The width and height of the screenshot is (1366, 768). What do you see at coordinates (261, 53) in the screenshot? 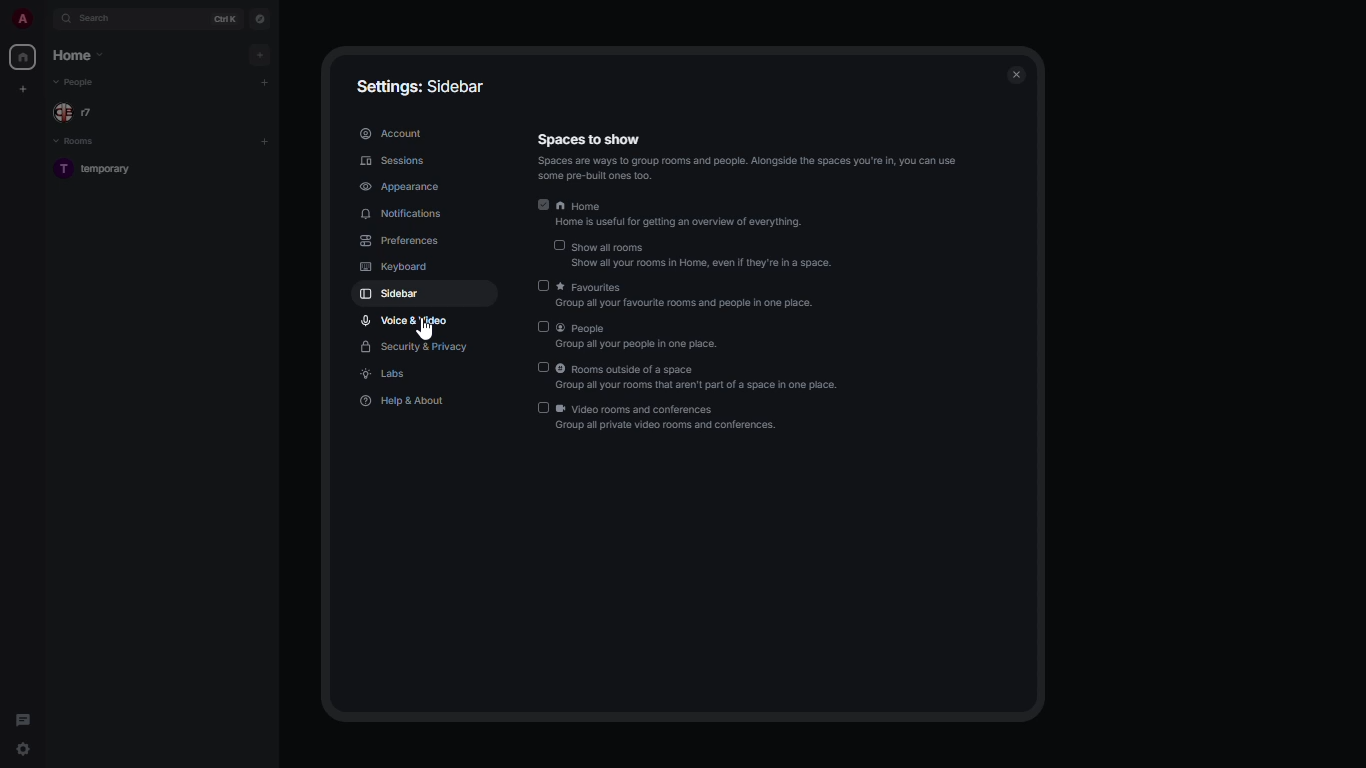
I see `add` at bounding box center [261, 53].